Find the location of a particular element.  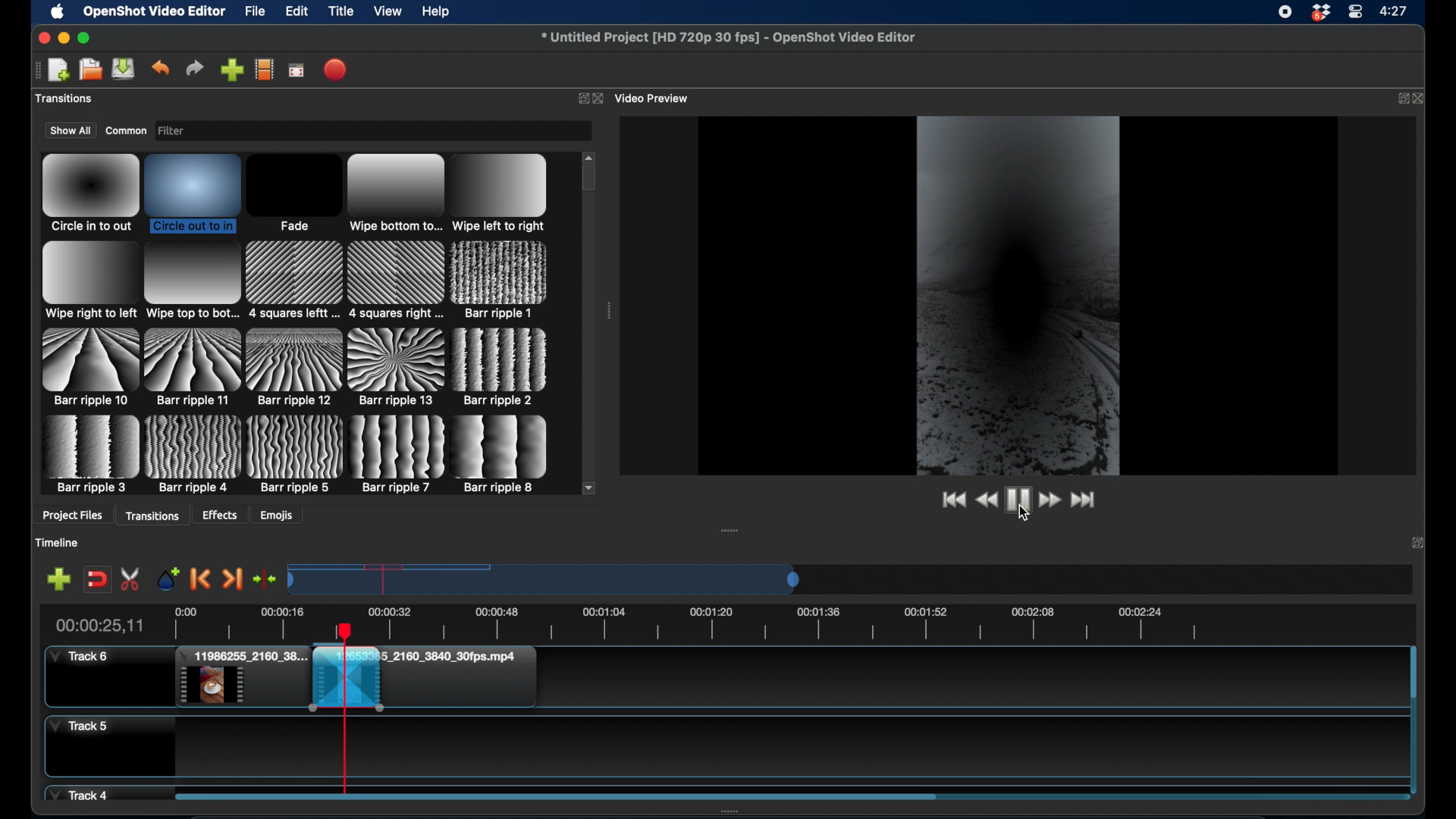

track 5 is located at coordinates (79, 726).